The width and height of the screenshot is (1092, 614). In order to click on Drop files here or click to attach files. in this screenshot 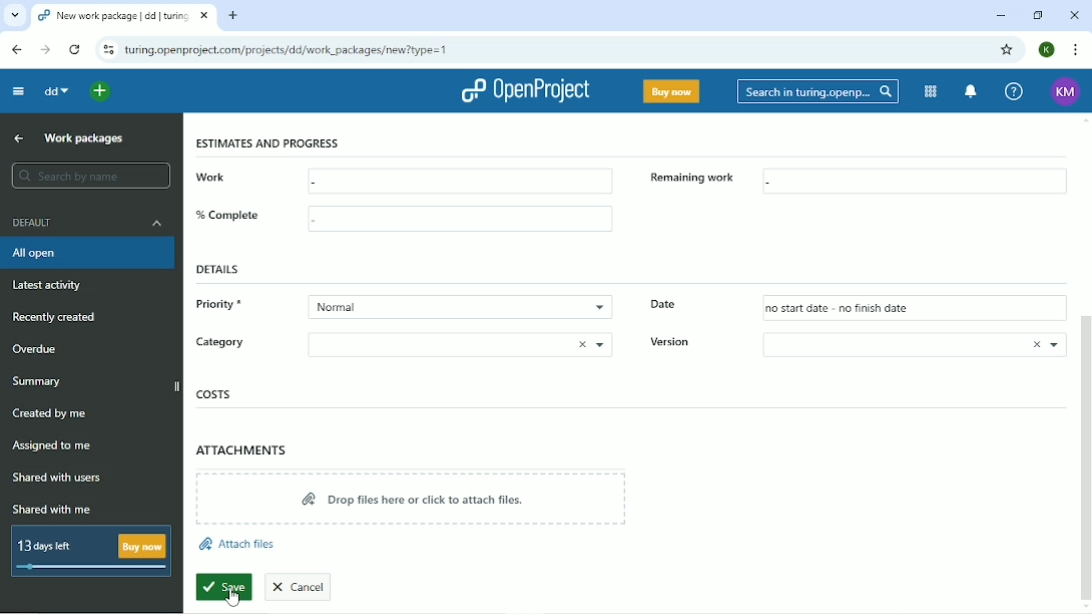, I will do `click(409, 497)`.